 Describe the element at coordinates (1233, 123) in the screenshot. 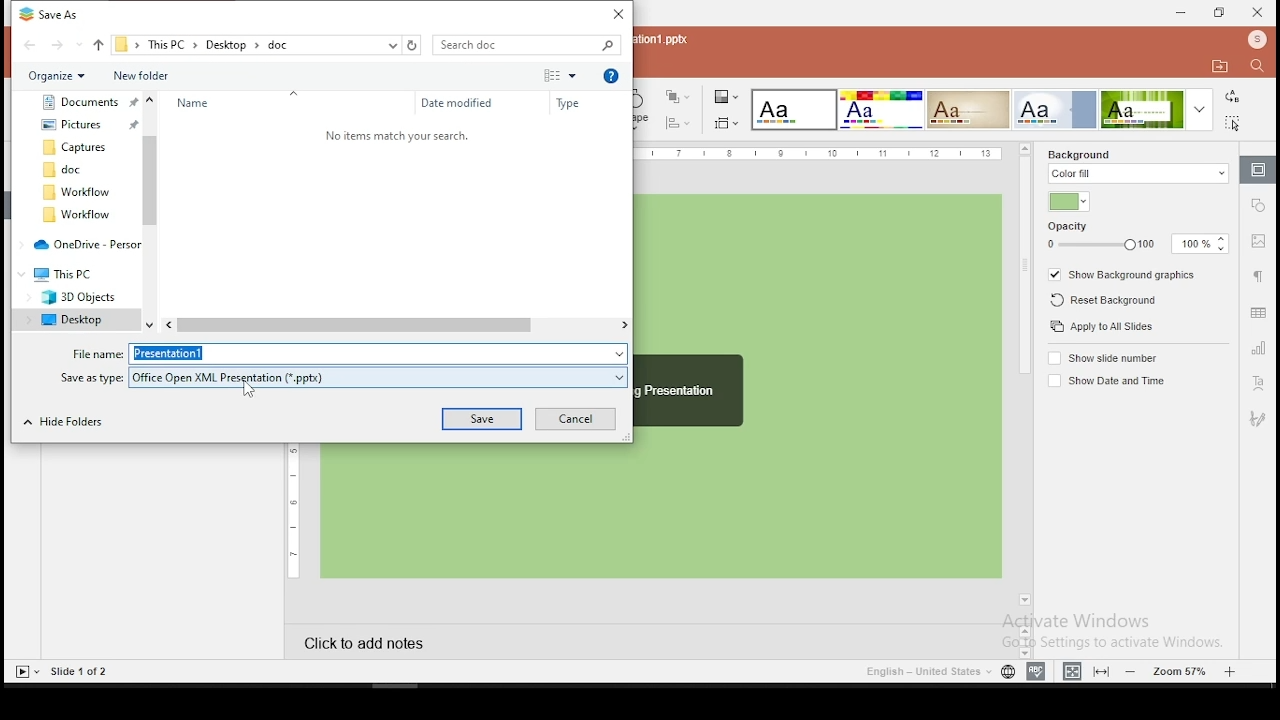

I see `select all` at that location.